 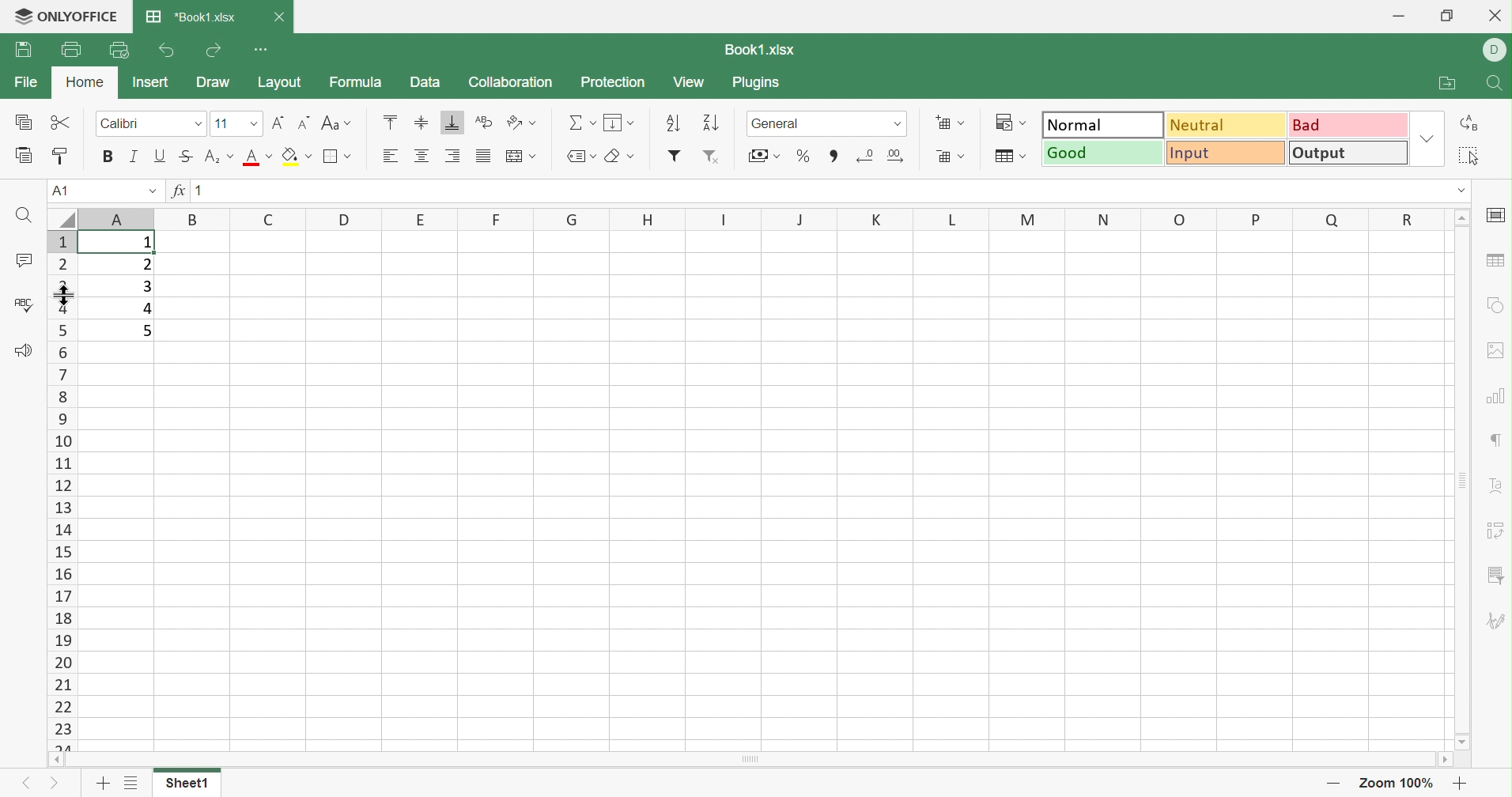 I want to click on Find, so click(x=27, y=218).